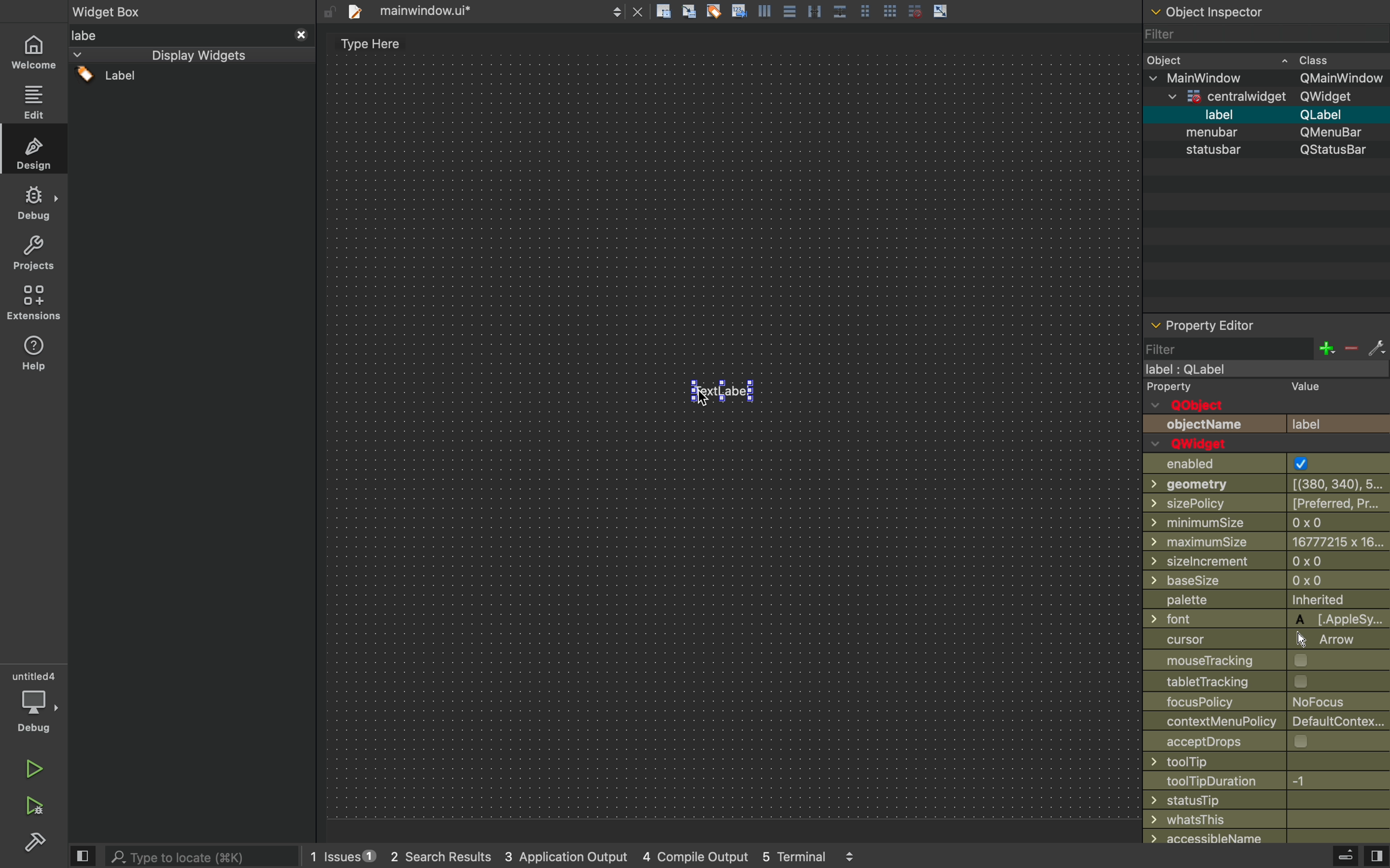  Describe the element at coordinates (1267, 640) in the screenshot. I see `` at that location.